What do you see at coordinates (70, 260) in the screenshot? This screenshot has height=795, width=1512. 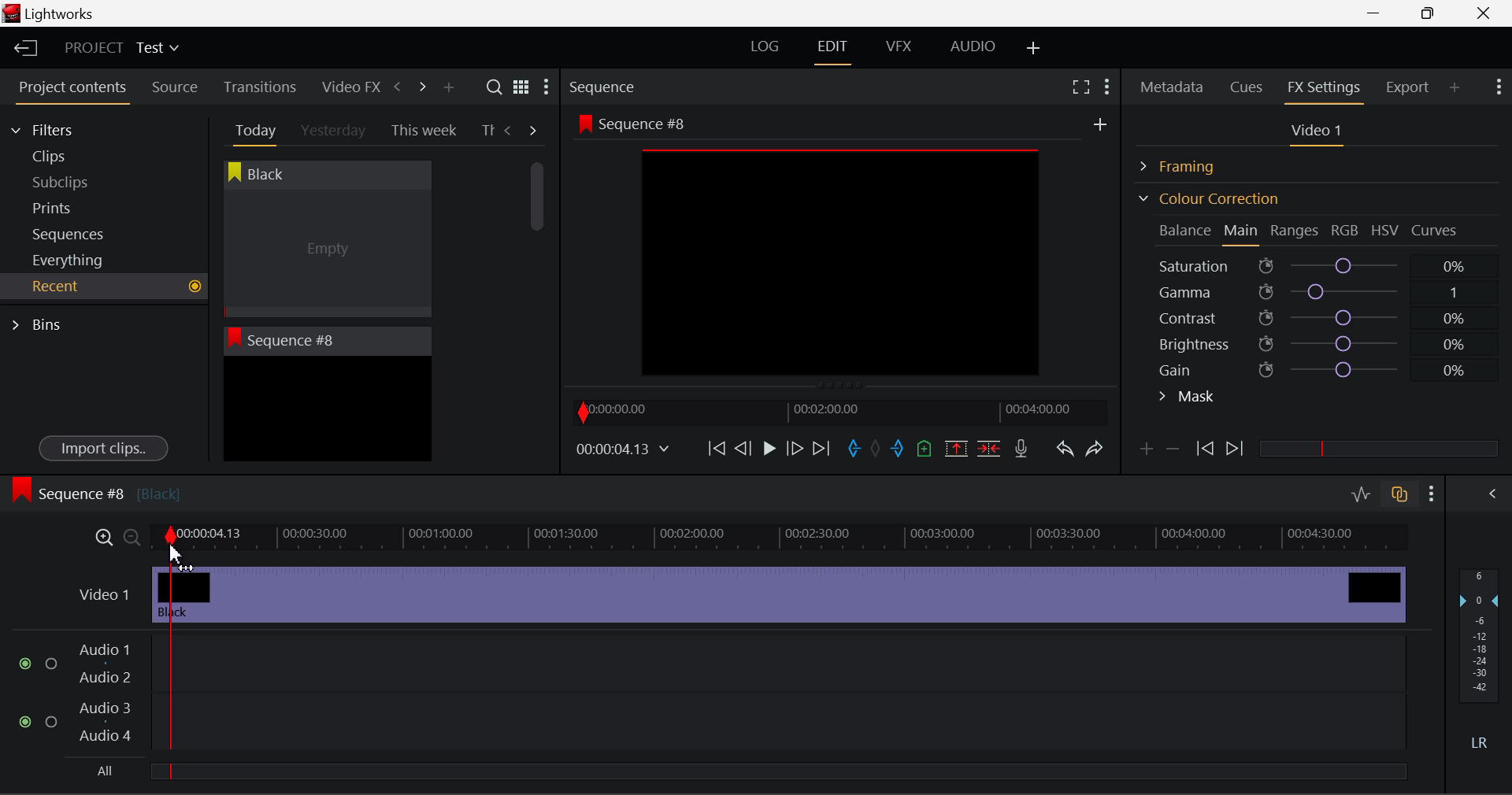 I see `Everything` at bounding box center [70, 260].